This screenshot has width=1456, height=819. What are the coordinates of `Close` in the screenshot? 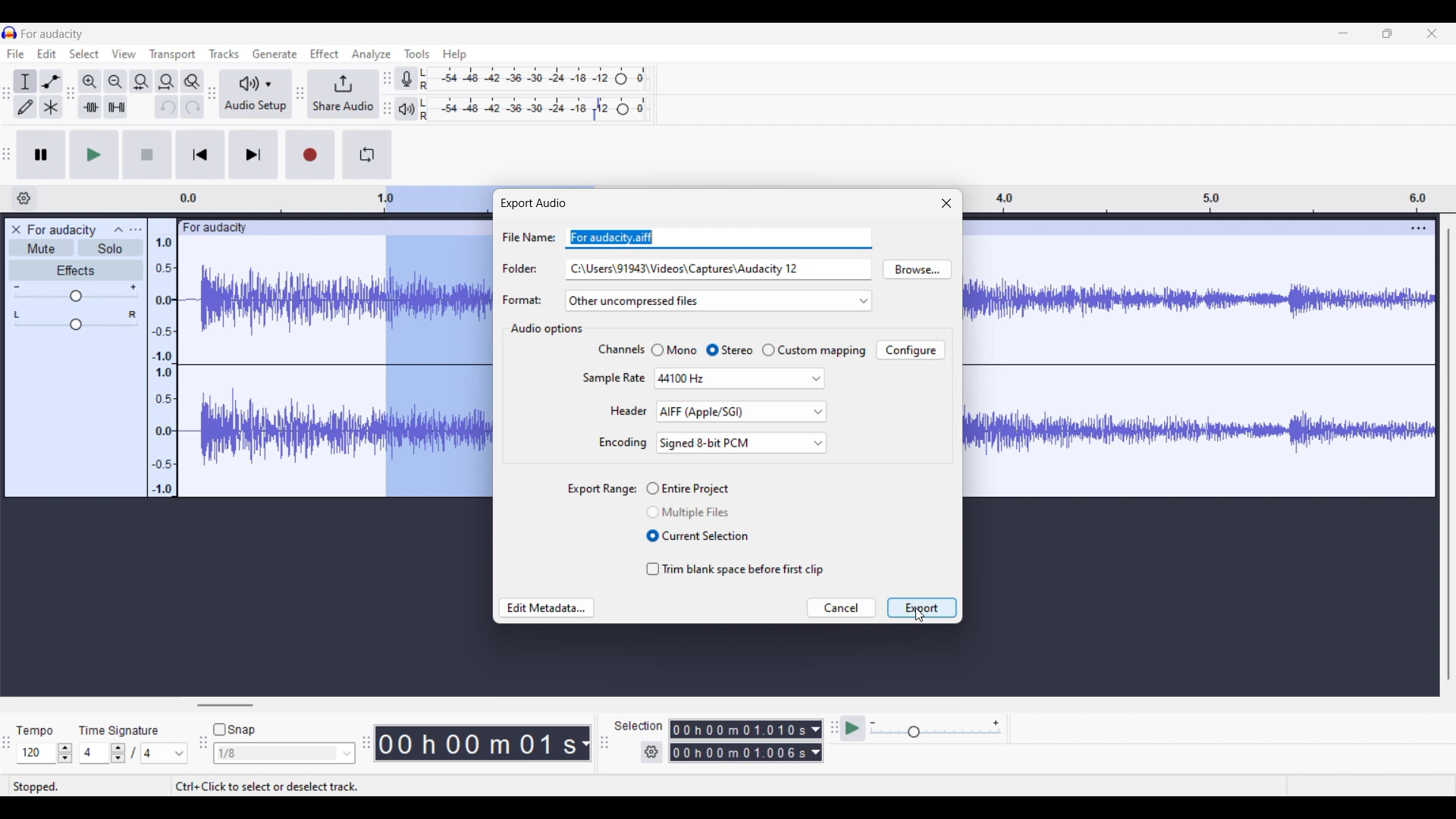 It's located at (946, 202).